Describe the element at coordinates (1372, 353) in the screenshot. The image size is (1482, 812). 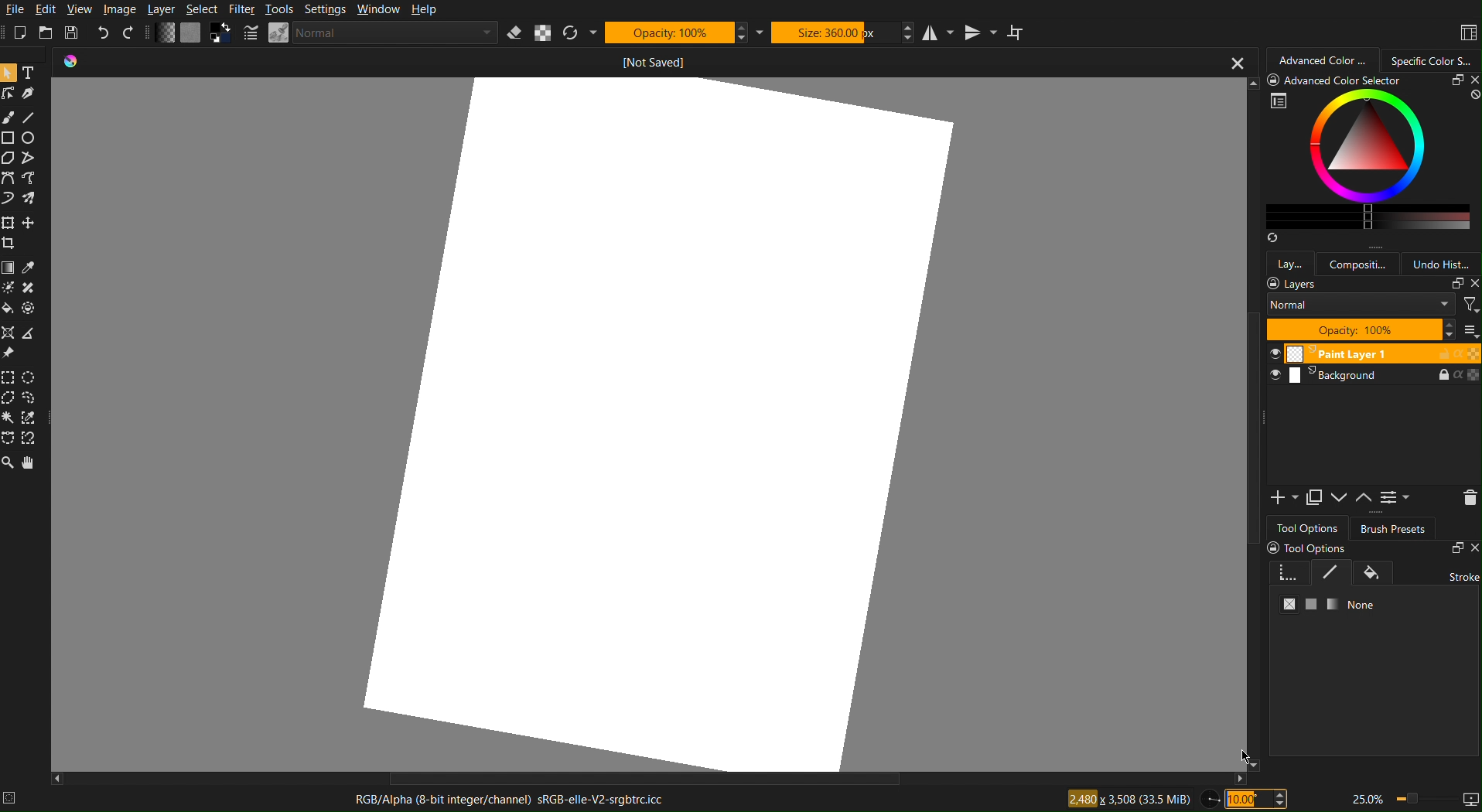
I see `Layer 1` at that location.